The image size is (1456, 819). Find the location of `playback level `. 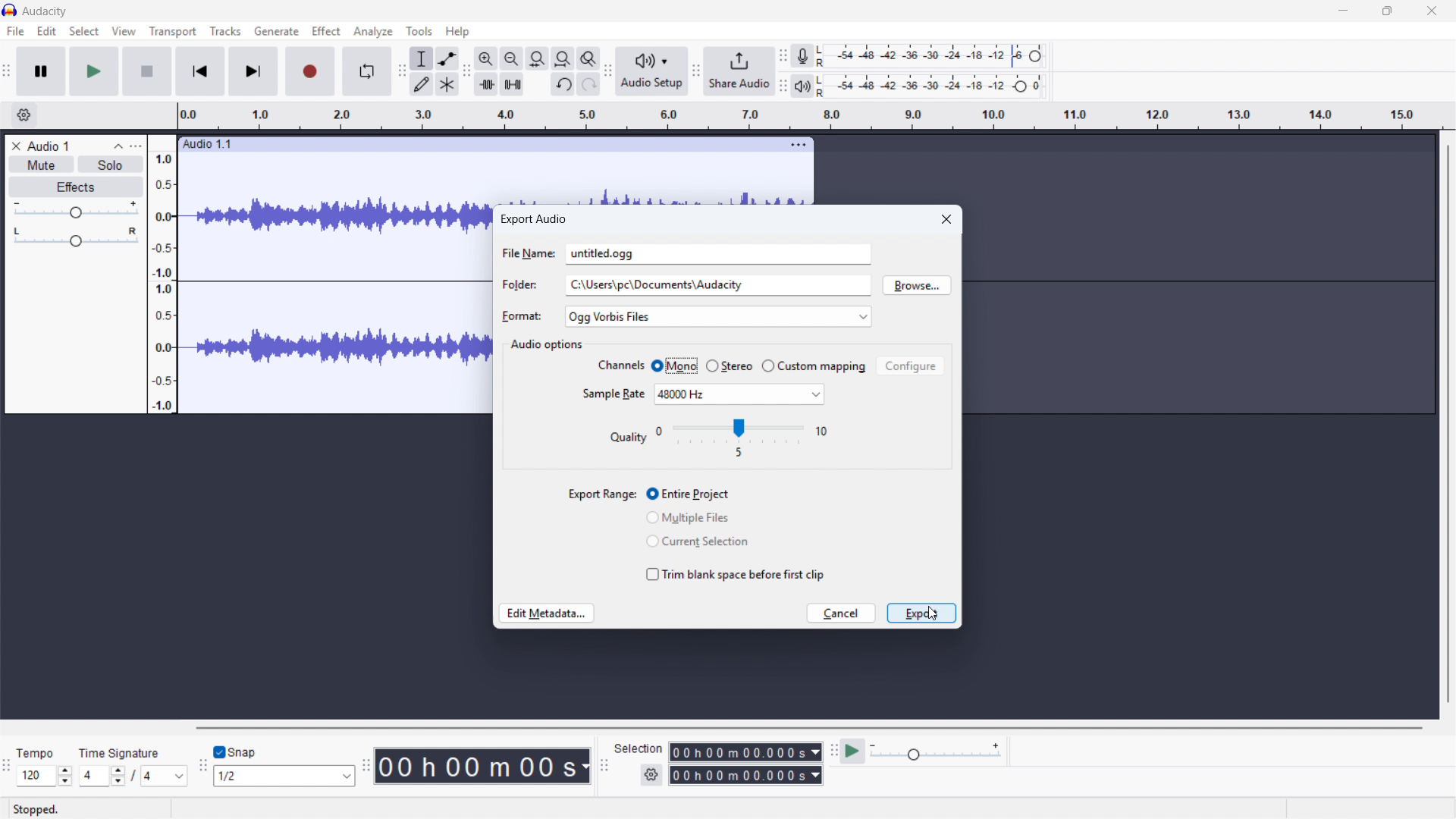

playback level  is located at coordinates (935, 86).